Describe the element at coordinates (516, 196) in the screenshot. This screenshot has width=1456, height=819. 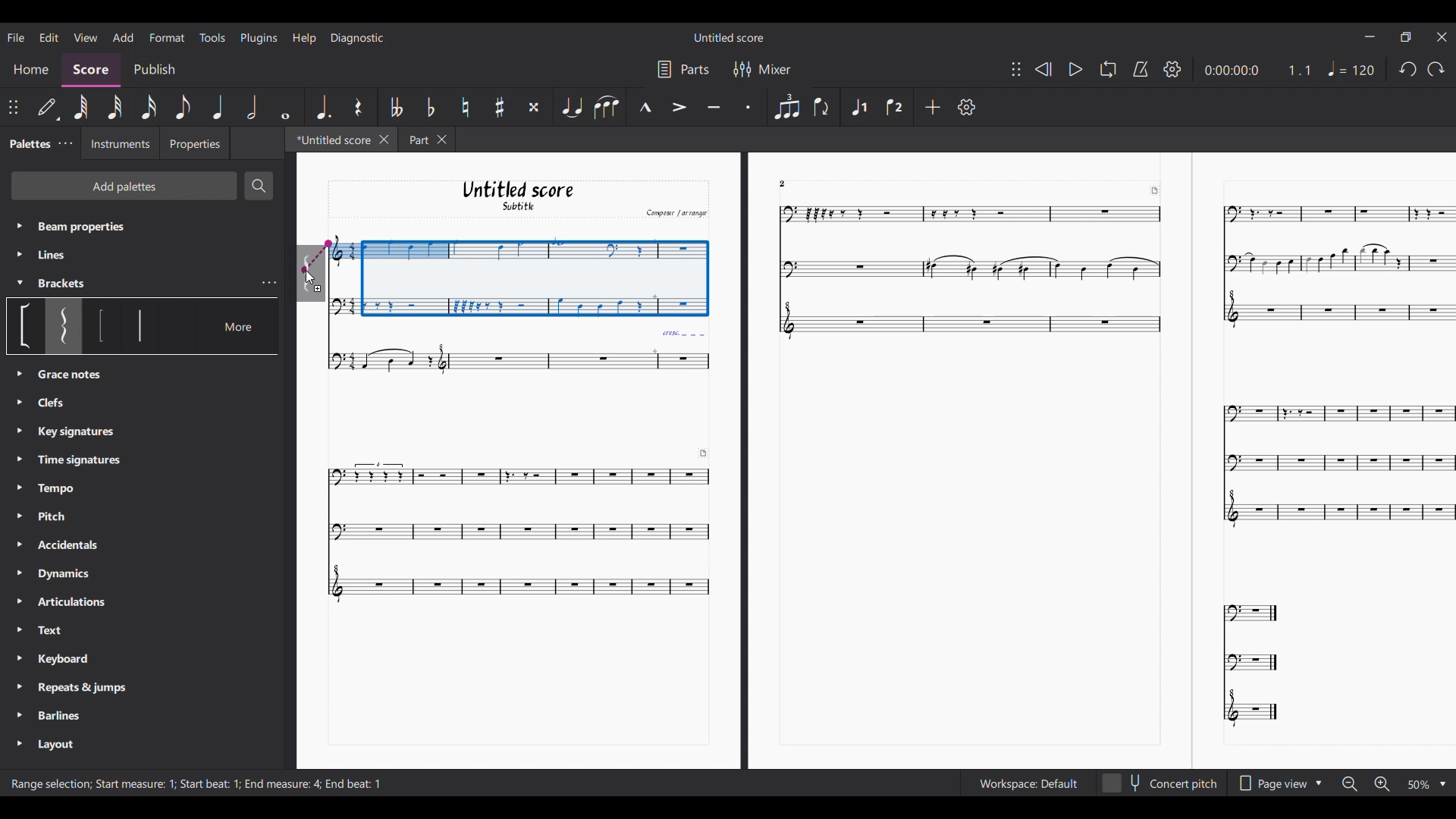
I see `Untitled score
Subtitle` at that location.